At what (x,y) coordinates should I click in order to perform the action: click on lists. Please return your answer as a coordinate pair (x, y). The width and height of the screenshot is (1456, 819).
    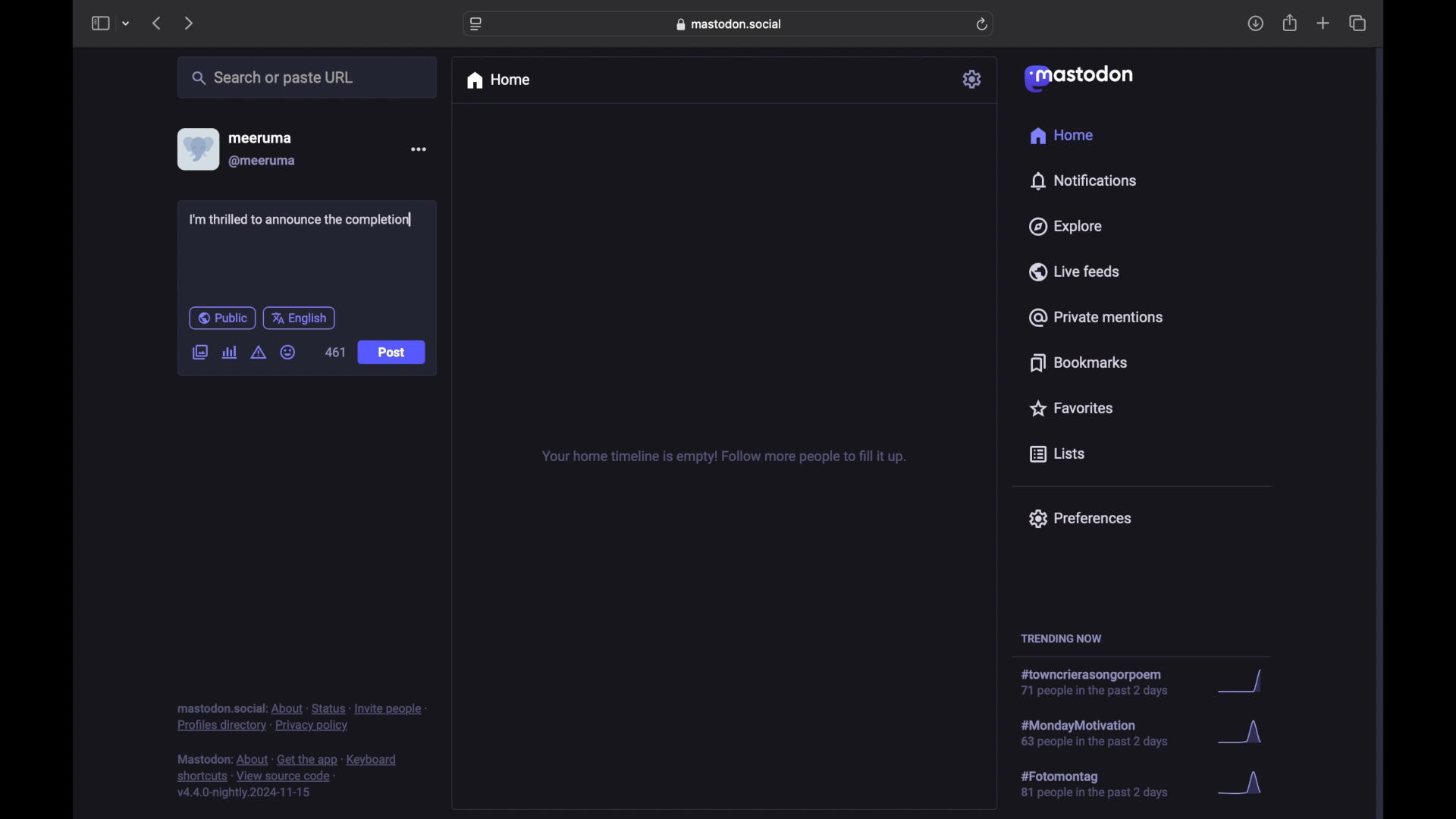
    Looking at the image, I should click on (1057, 455).